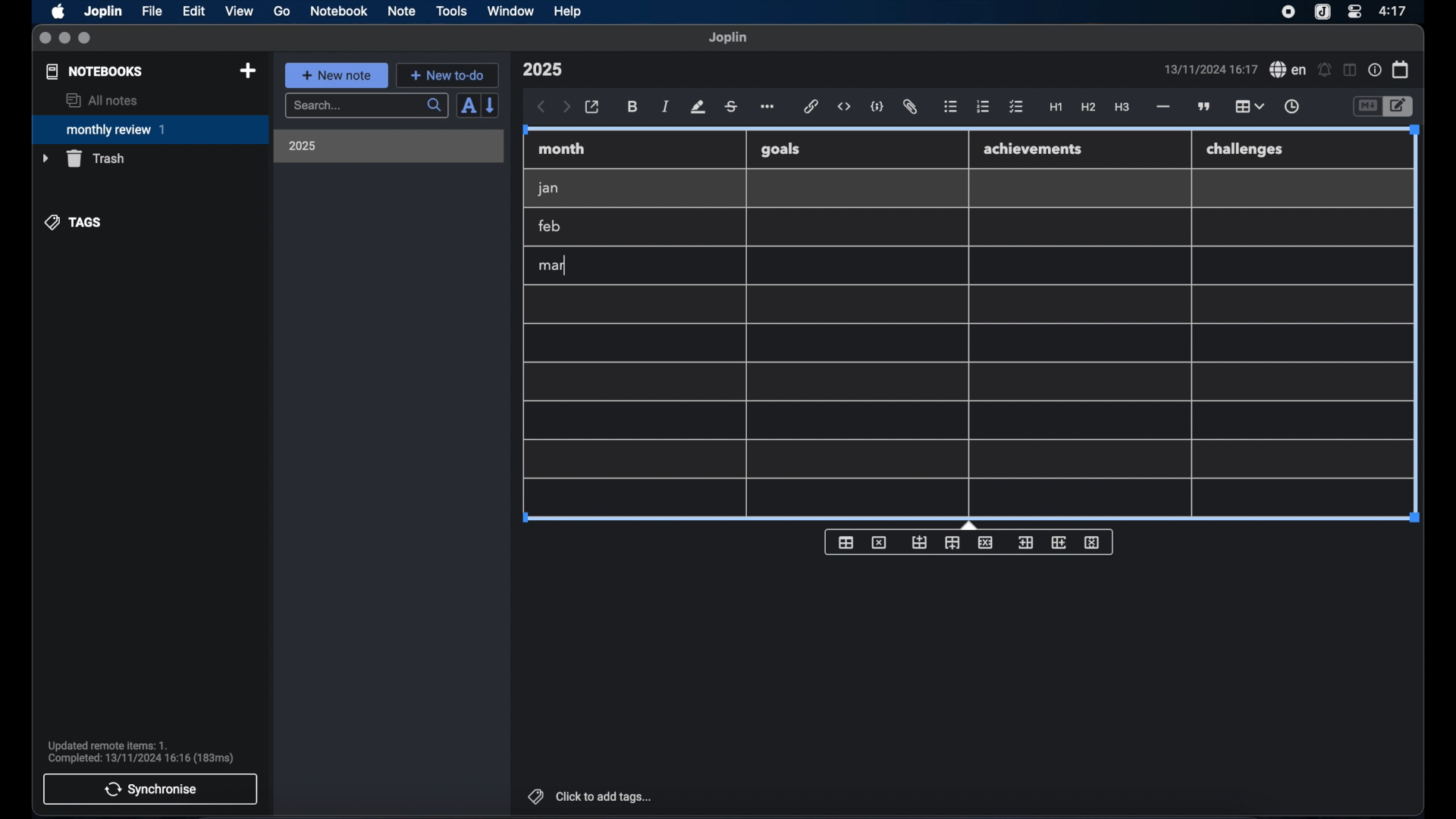 The width and height of the screenshot is (1456, 819). I want to click on help, so click(569, 11).